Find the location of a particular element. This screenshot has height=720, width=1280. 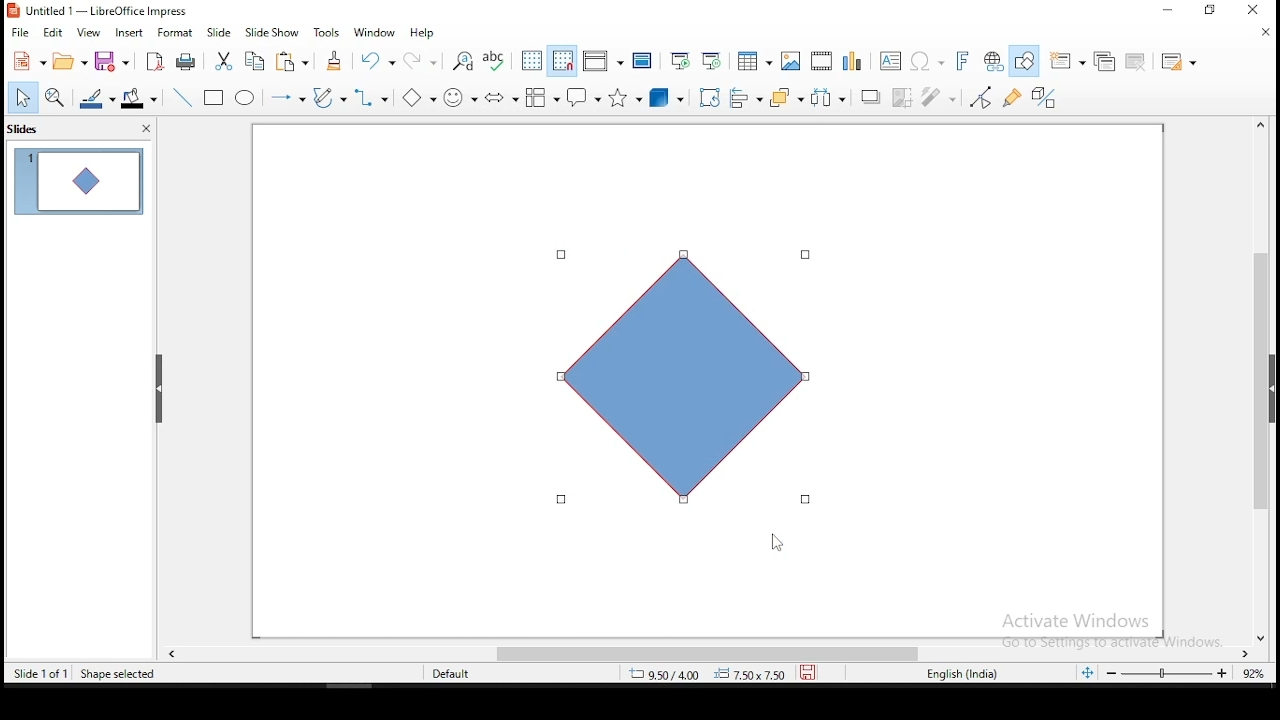

basic shapes is located at coordinates (423, 98).